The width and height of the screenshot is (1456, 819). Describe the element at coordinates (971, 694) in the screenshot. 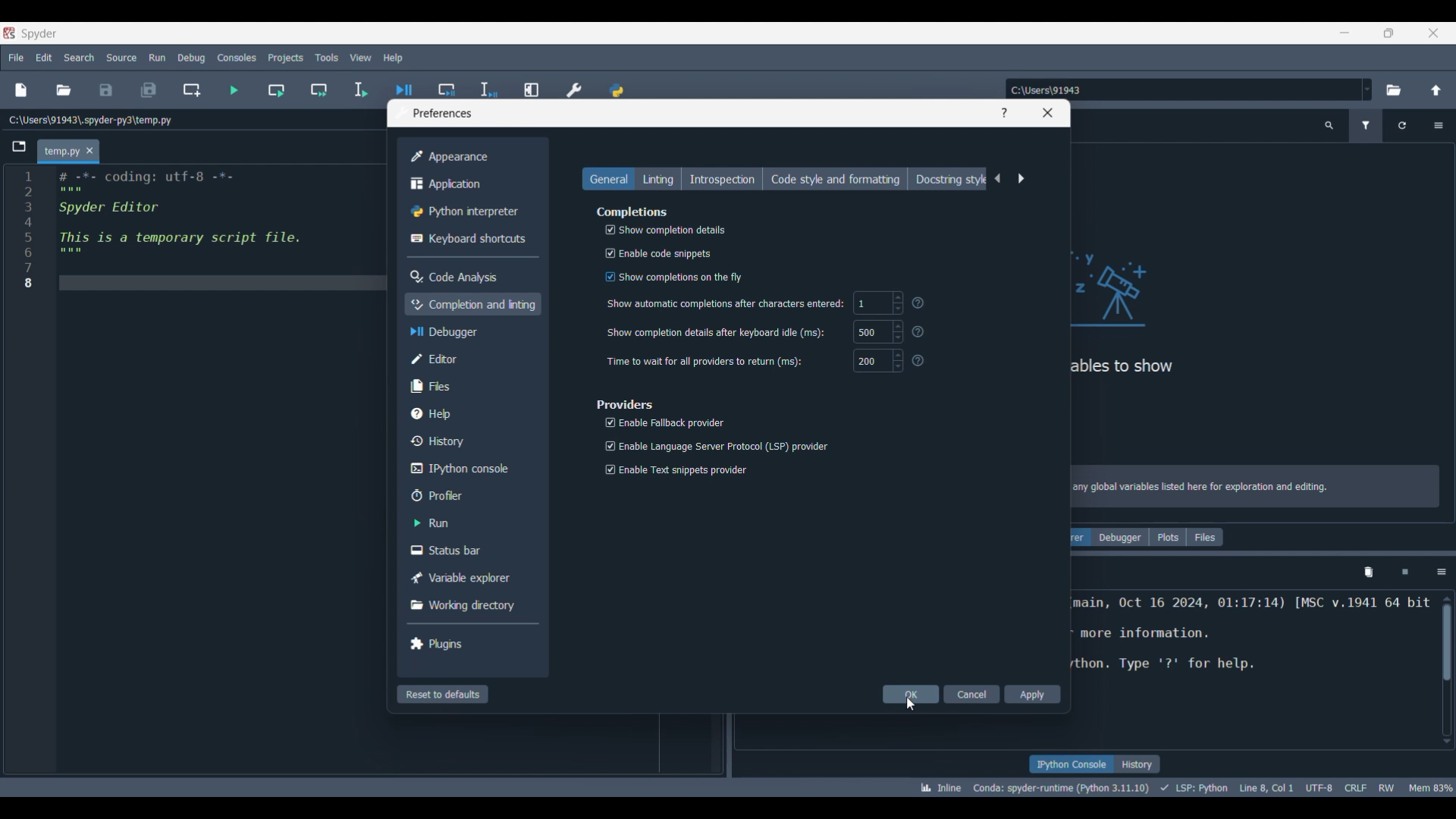

I see `Cancel` at that location.